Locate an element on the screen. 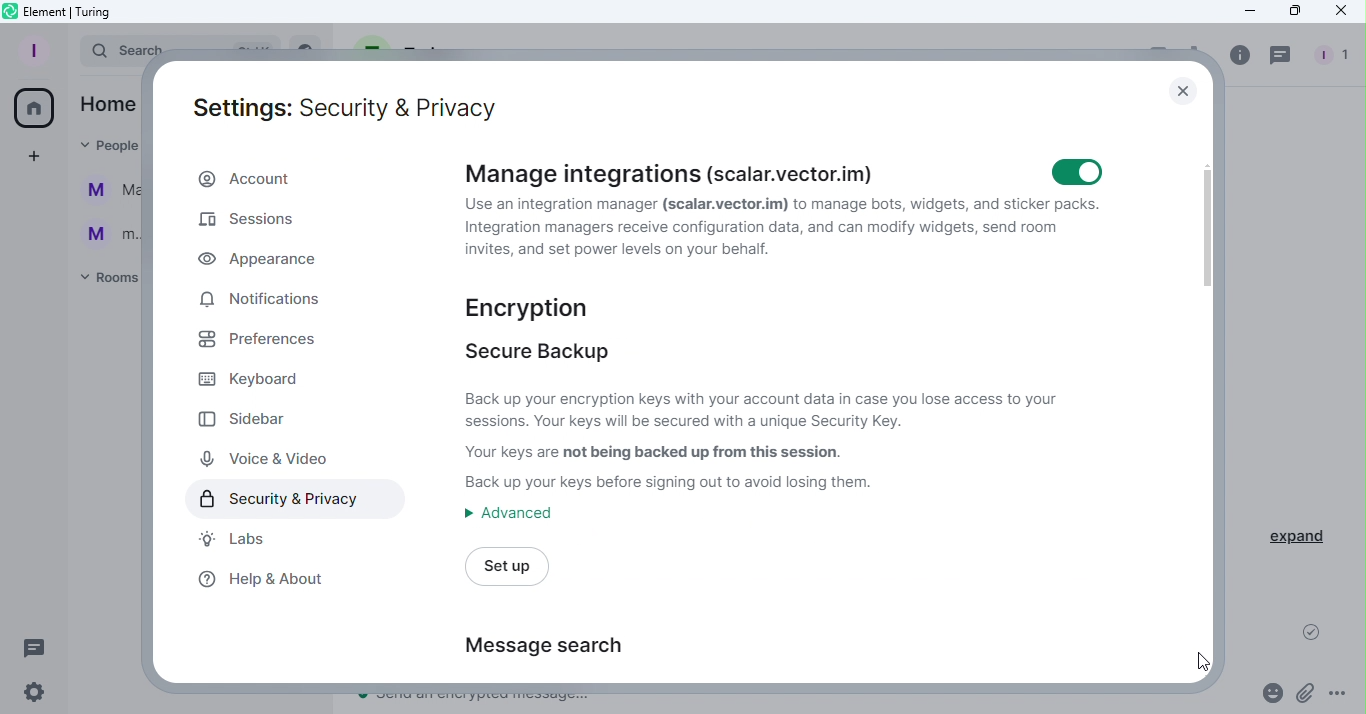 Image resolution: width=1366 pixels, height=714 pixels. Home is located at coordinates (107, 103).